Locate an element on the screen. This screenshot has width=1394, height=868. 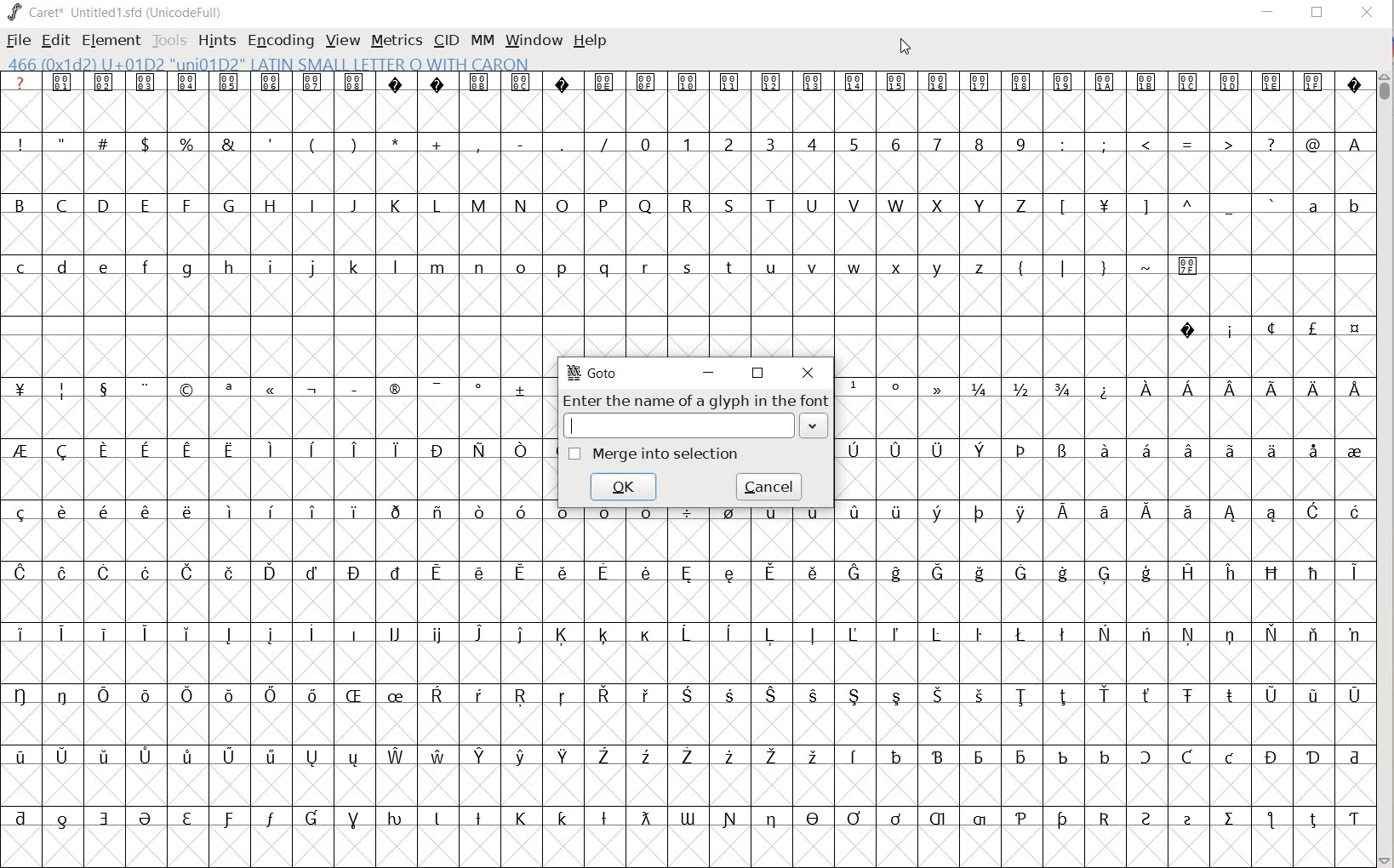
MINIMIZE is located at coordinates (712, 370).